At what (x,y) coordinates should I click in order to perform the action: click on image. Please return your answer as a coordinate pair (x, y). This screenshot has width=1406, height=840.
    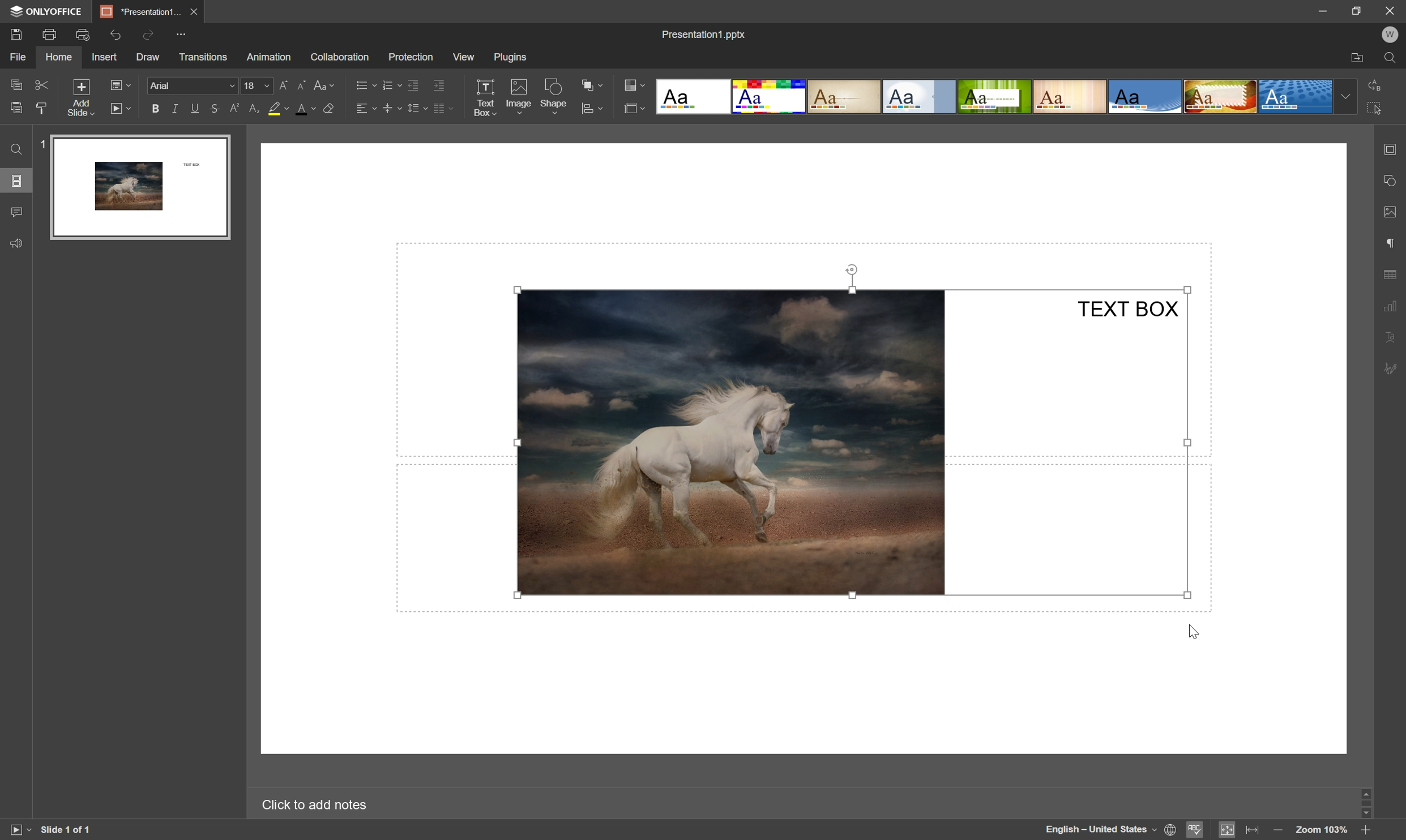
    Looking at the image, I should click on (518, 95).